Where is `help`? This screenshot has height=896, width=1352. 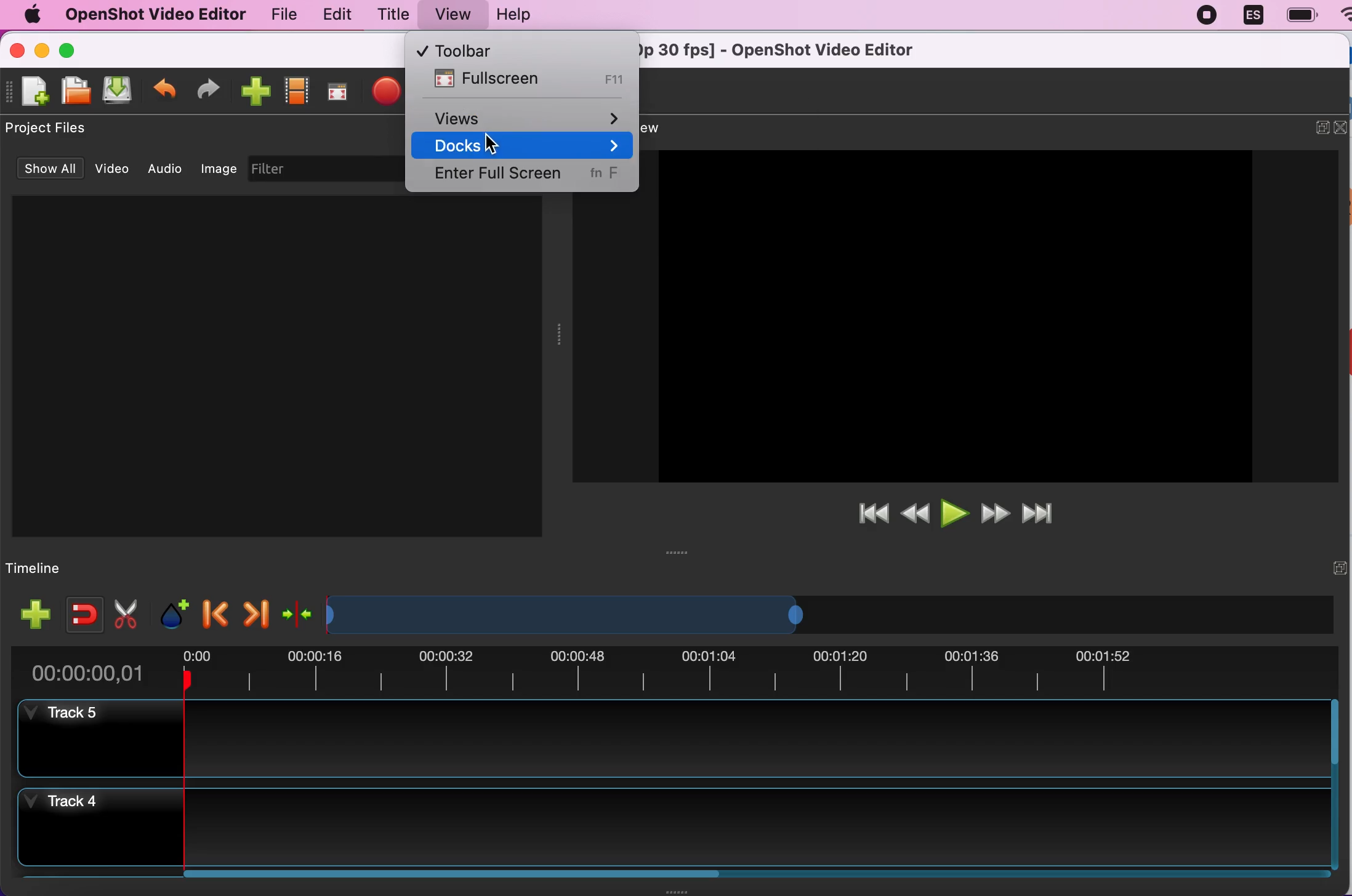 help is located at coordinates (521, 18).